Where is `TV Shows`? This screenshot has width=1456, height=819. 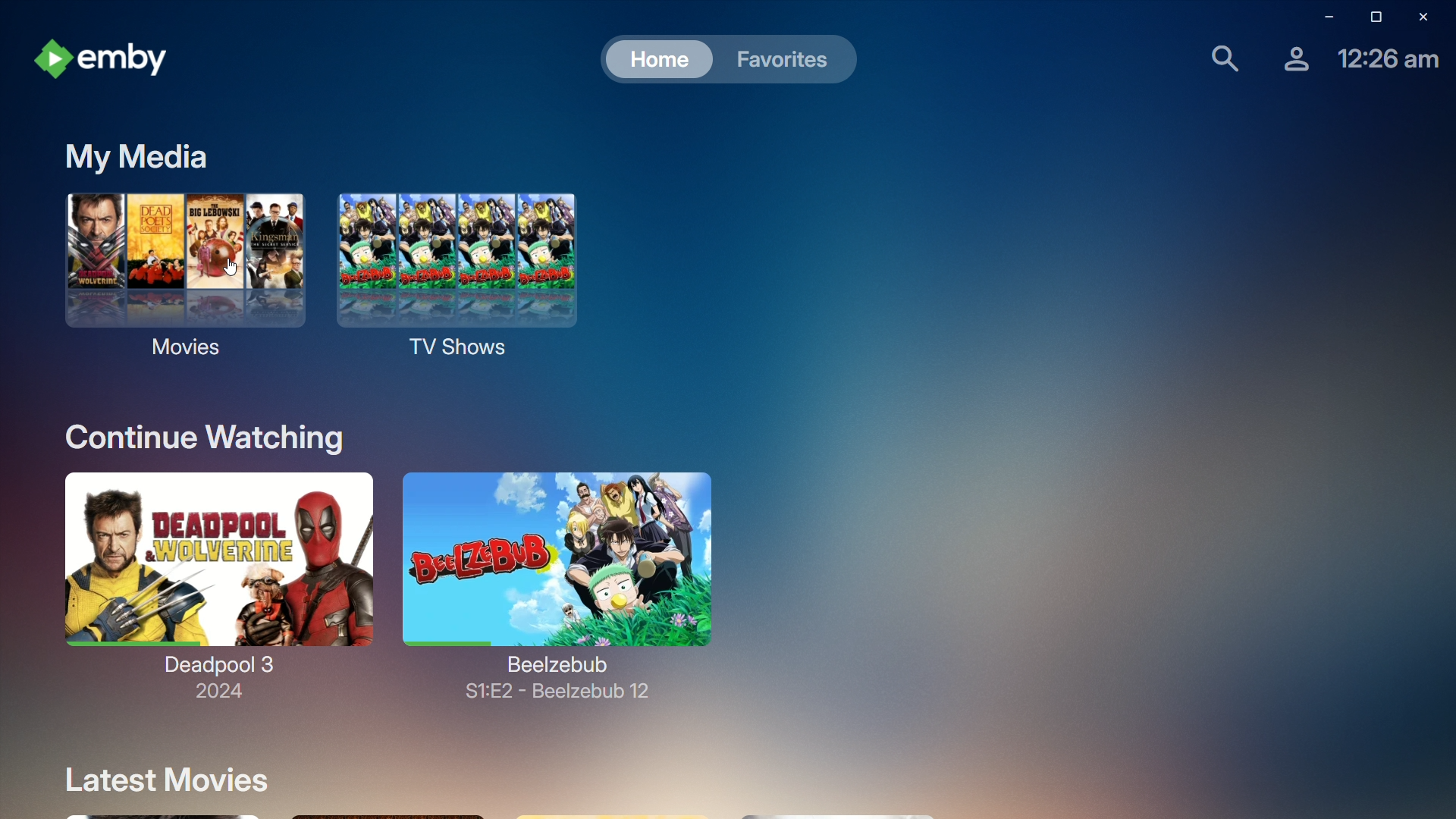
TV Shows is located at coordinates (461, 284).